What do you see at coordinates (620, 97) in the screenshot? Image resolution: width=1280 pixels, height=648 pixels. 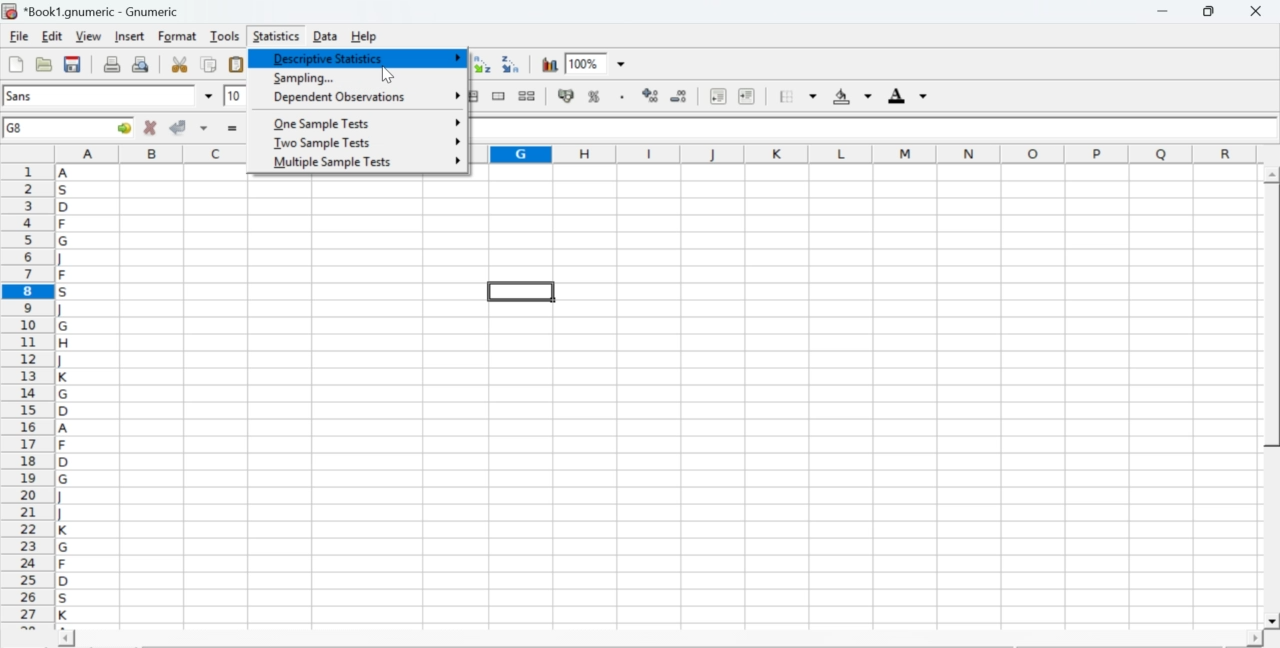 I see `Set the format of the selected cells to include a thousands separator` at bounding box center [620, 97].